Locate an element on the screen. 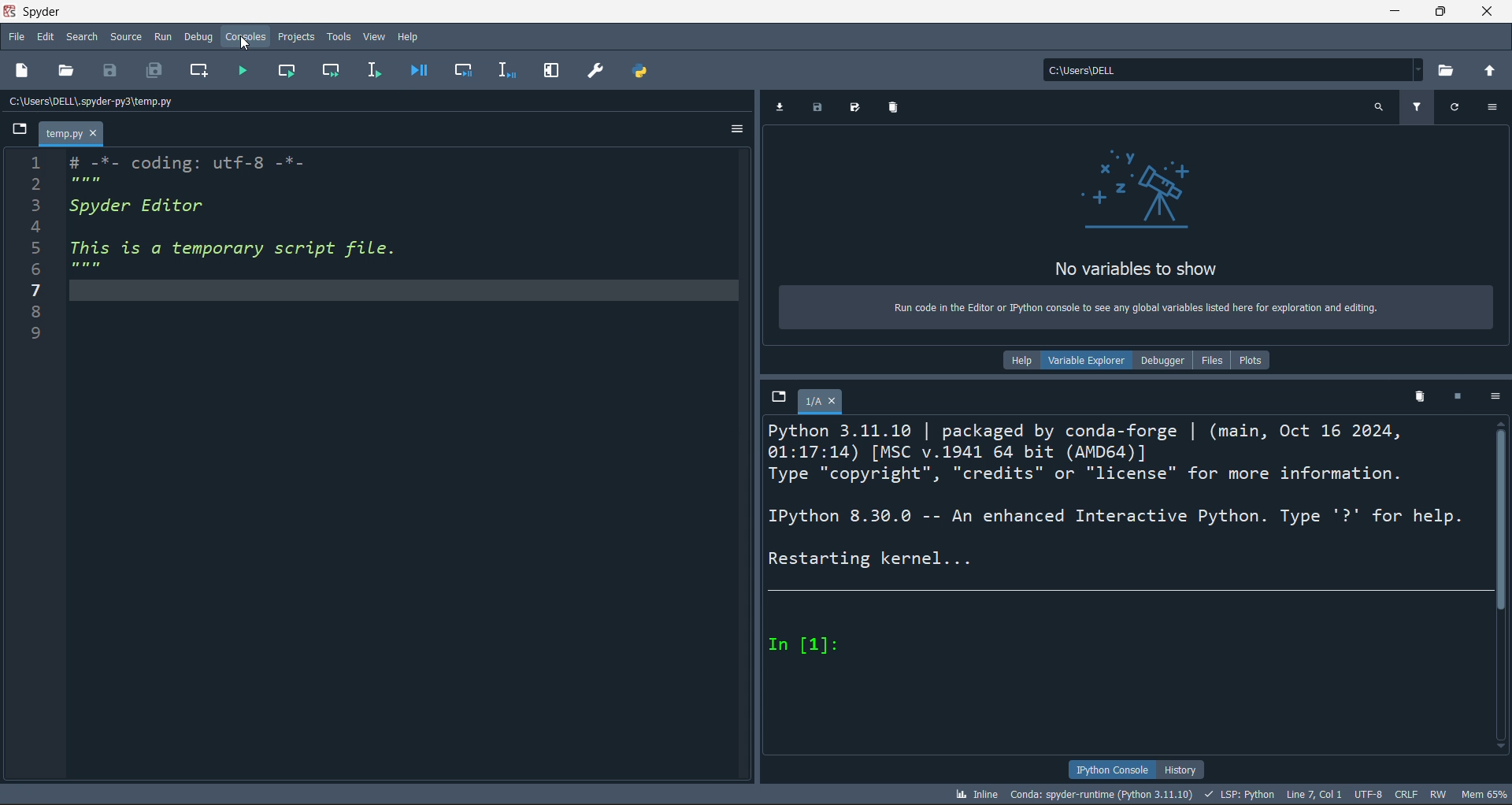 This screenshot has width=1512, height=805. variable explorer is located at coordinates (1085, 360).